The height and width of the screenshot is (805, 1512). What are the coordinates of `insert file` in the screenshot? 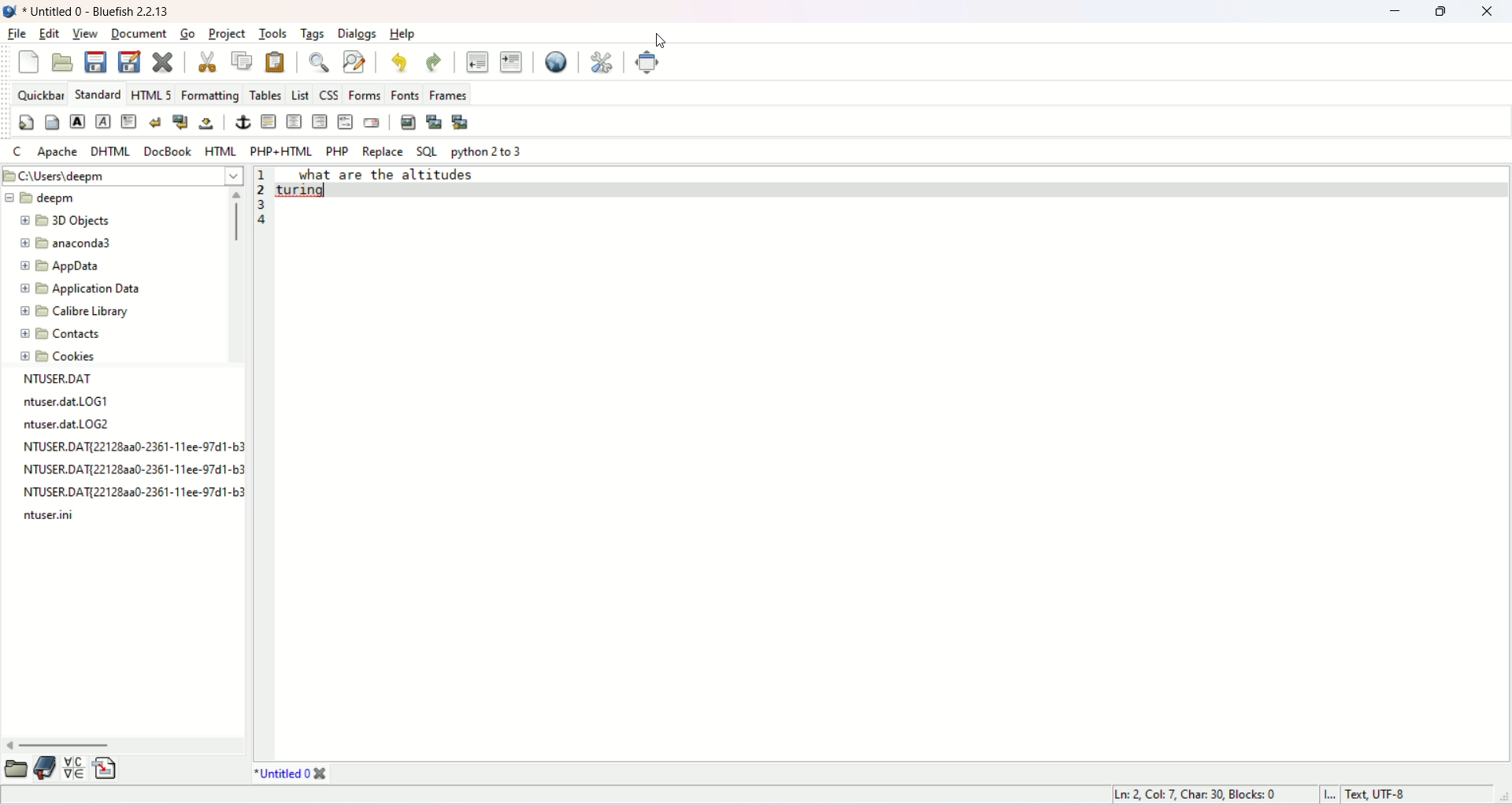 It's located at (107, 767).